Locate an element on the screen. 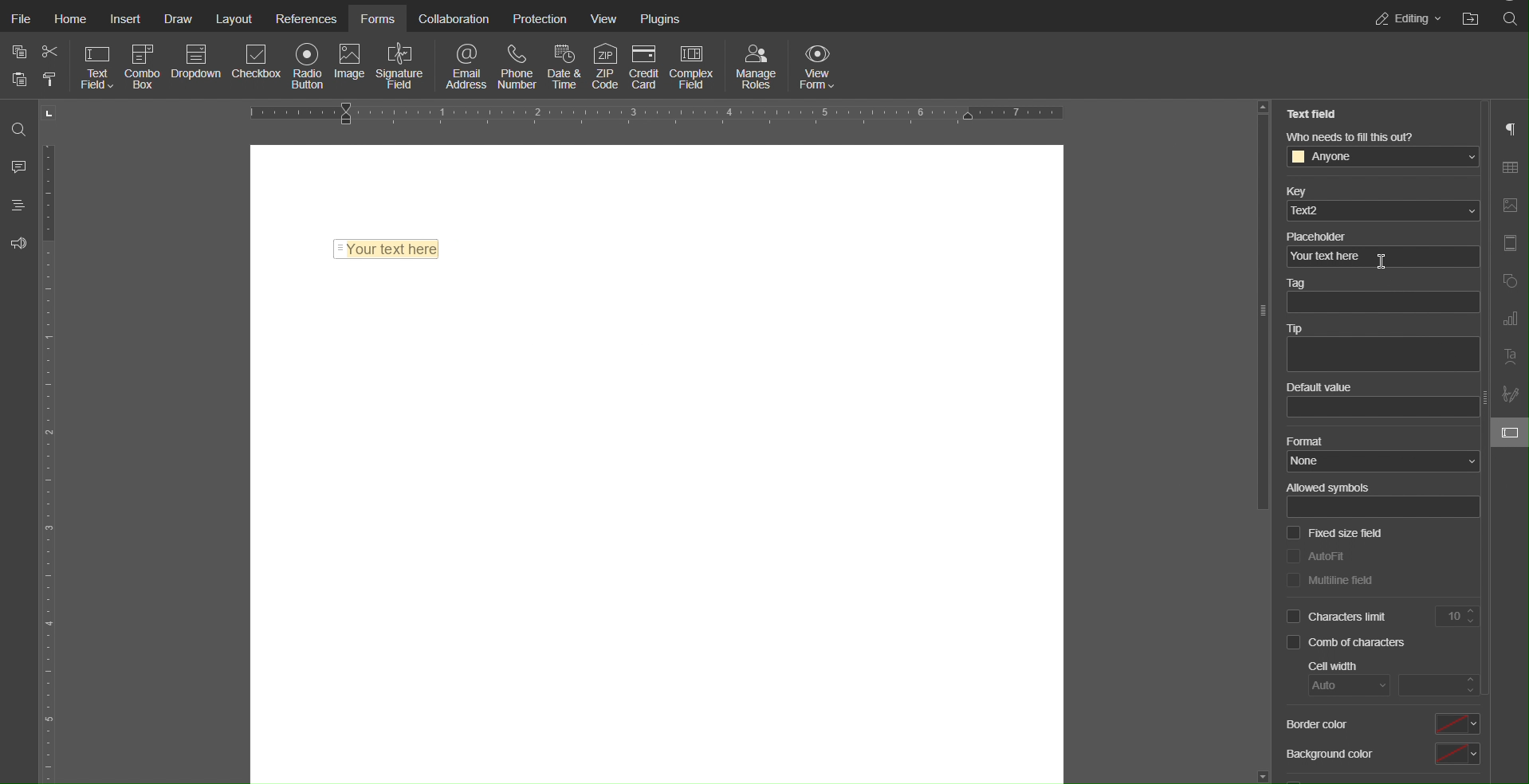 The height and width of the screenshot is (784, 1529). Comb of characters is located at coordinates (1346, 643).